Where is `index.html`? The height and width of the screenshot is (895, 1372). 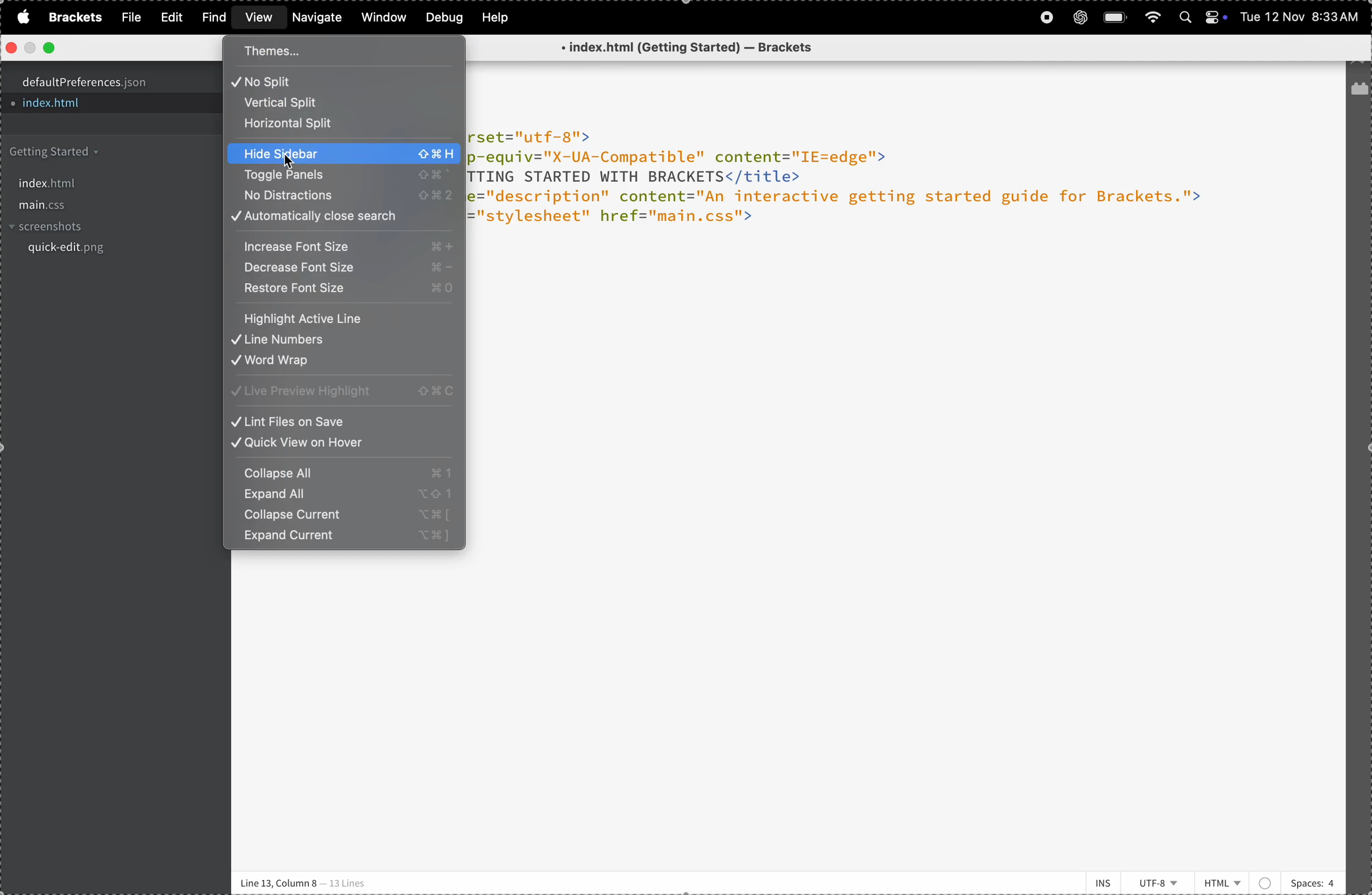 index.html is located at coordinates (85, 106).